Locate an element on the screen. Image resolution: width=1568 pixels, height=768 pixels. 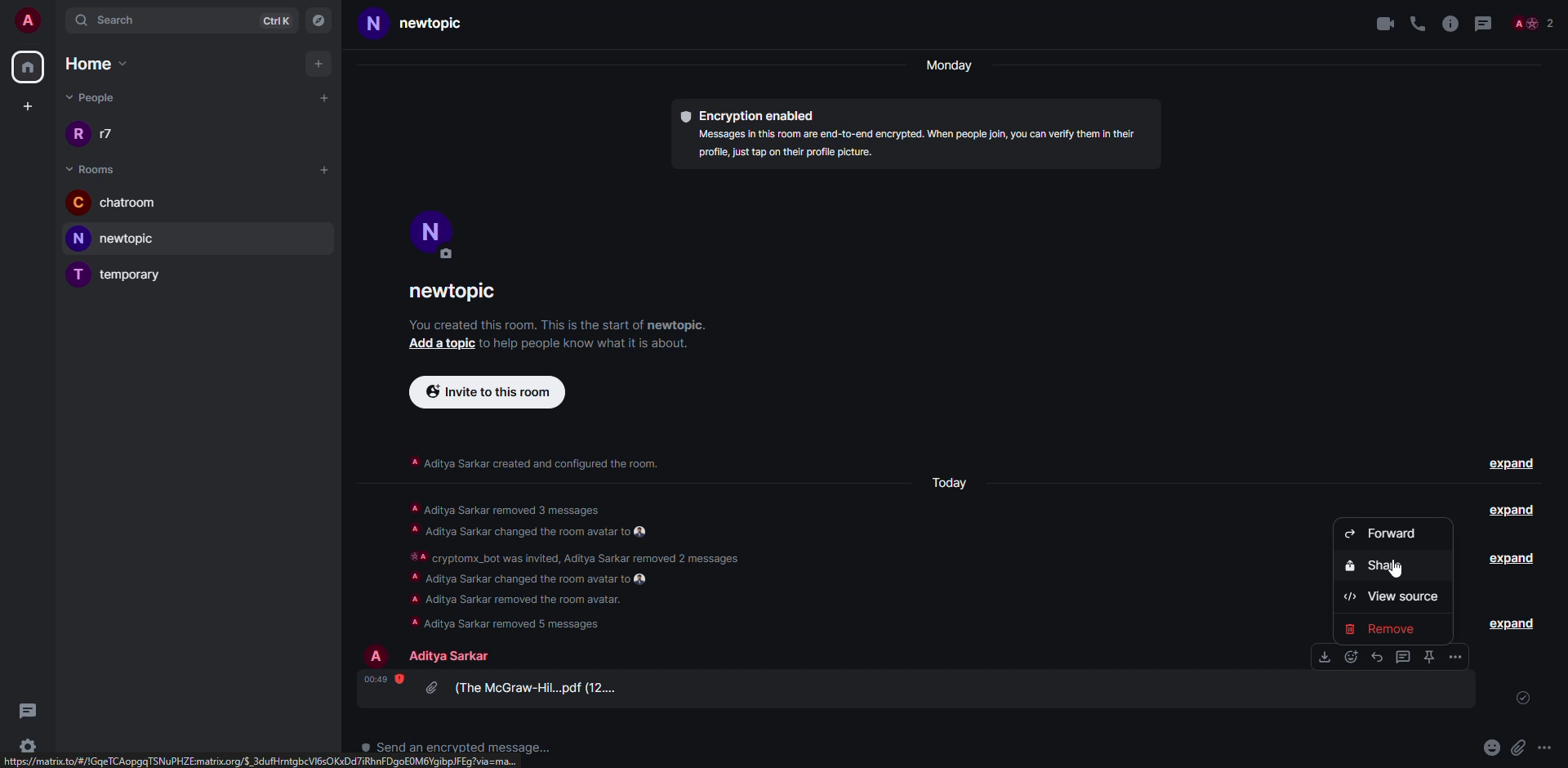
invite to this room is located at coordinates (490, 391).